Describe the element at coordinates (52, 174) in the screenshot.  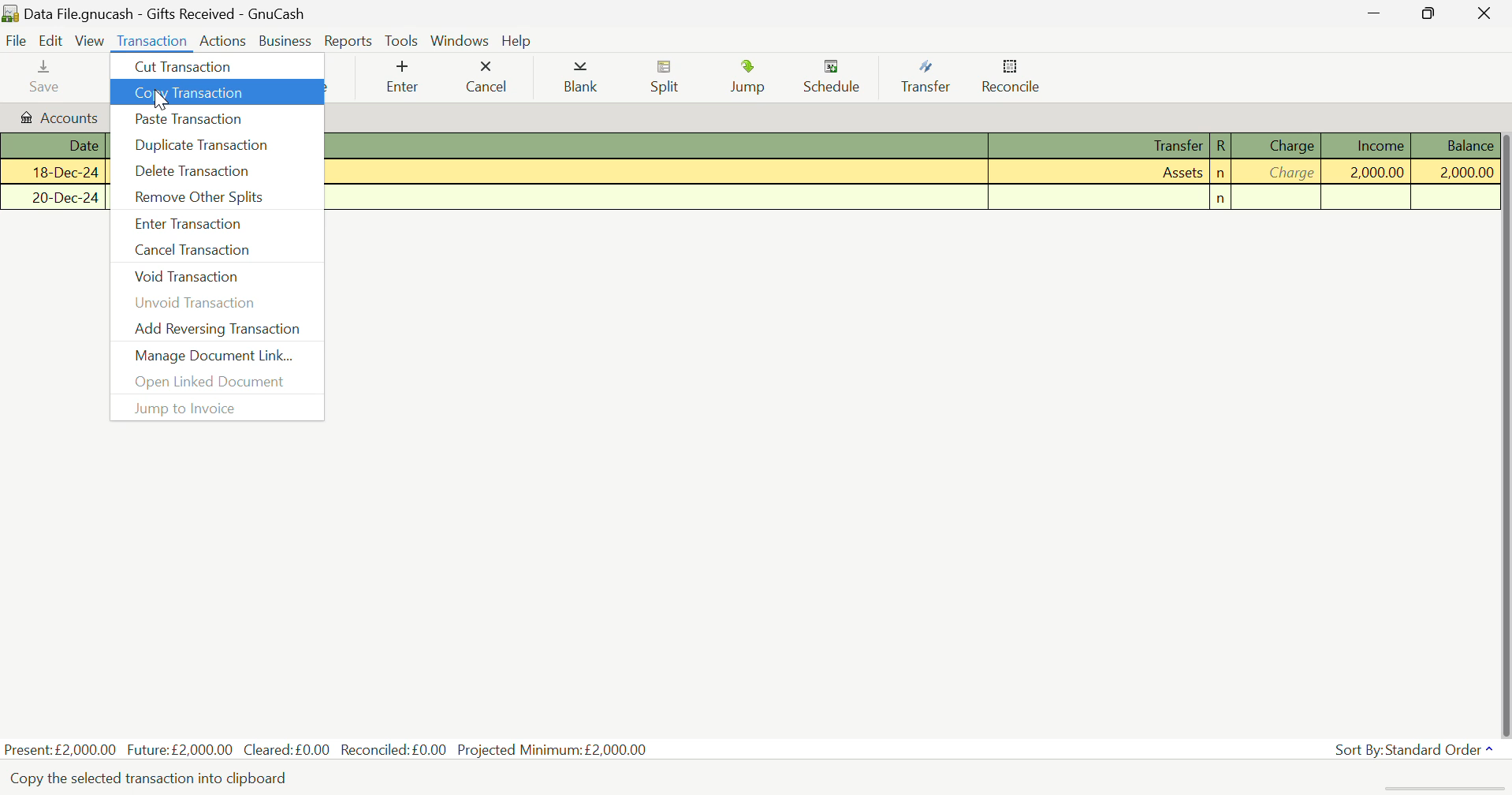
I see `Date` at that location.